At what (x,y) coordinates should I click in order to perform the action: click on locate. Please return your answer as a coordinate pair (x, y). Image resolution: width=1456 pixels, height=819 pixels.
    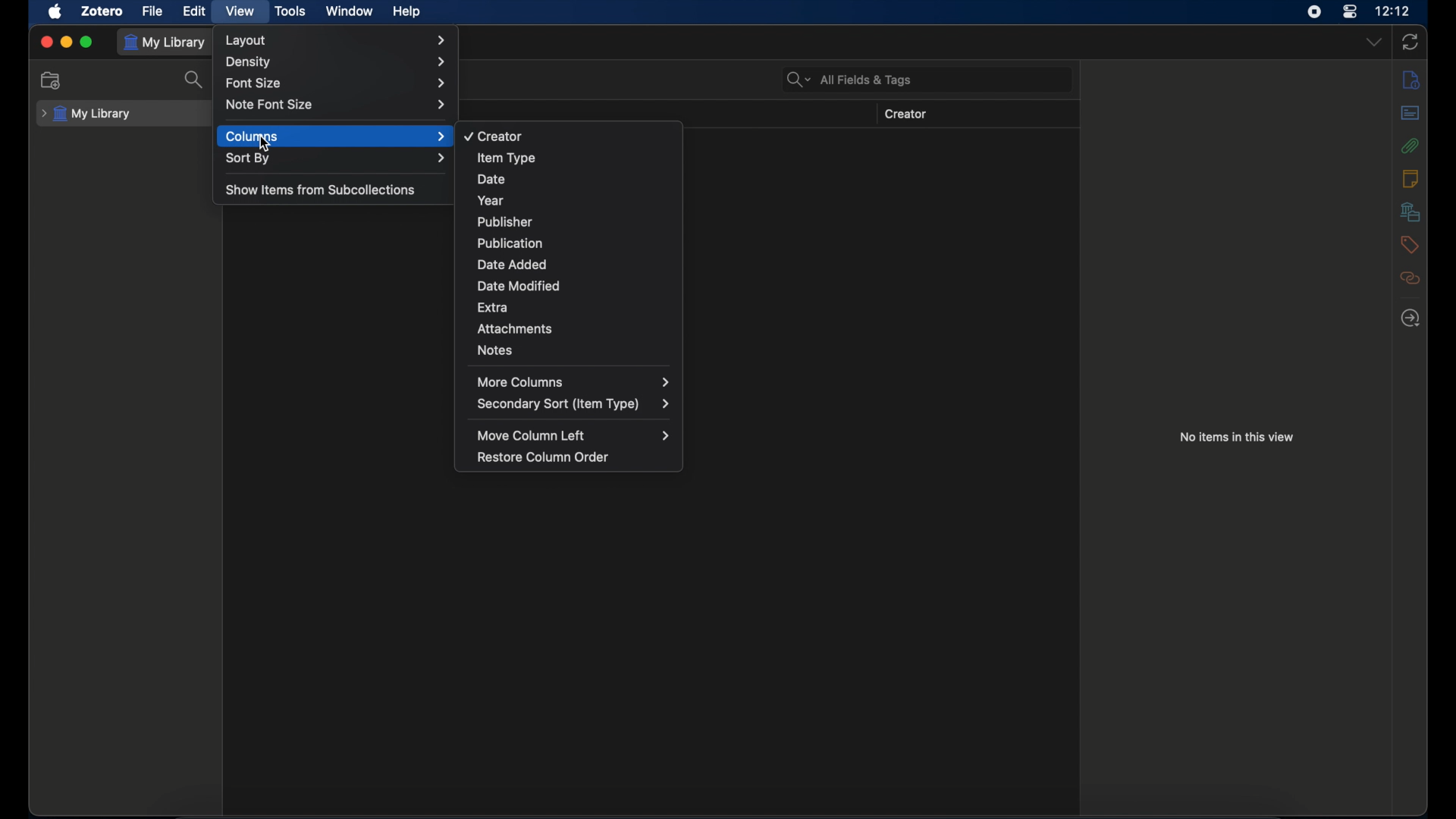
    Looking at the image, I should click on (1411, 318).